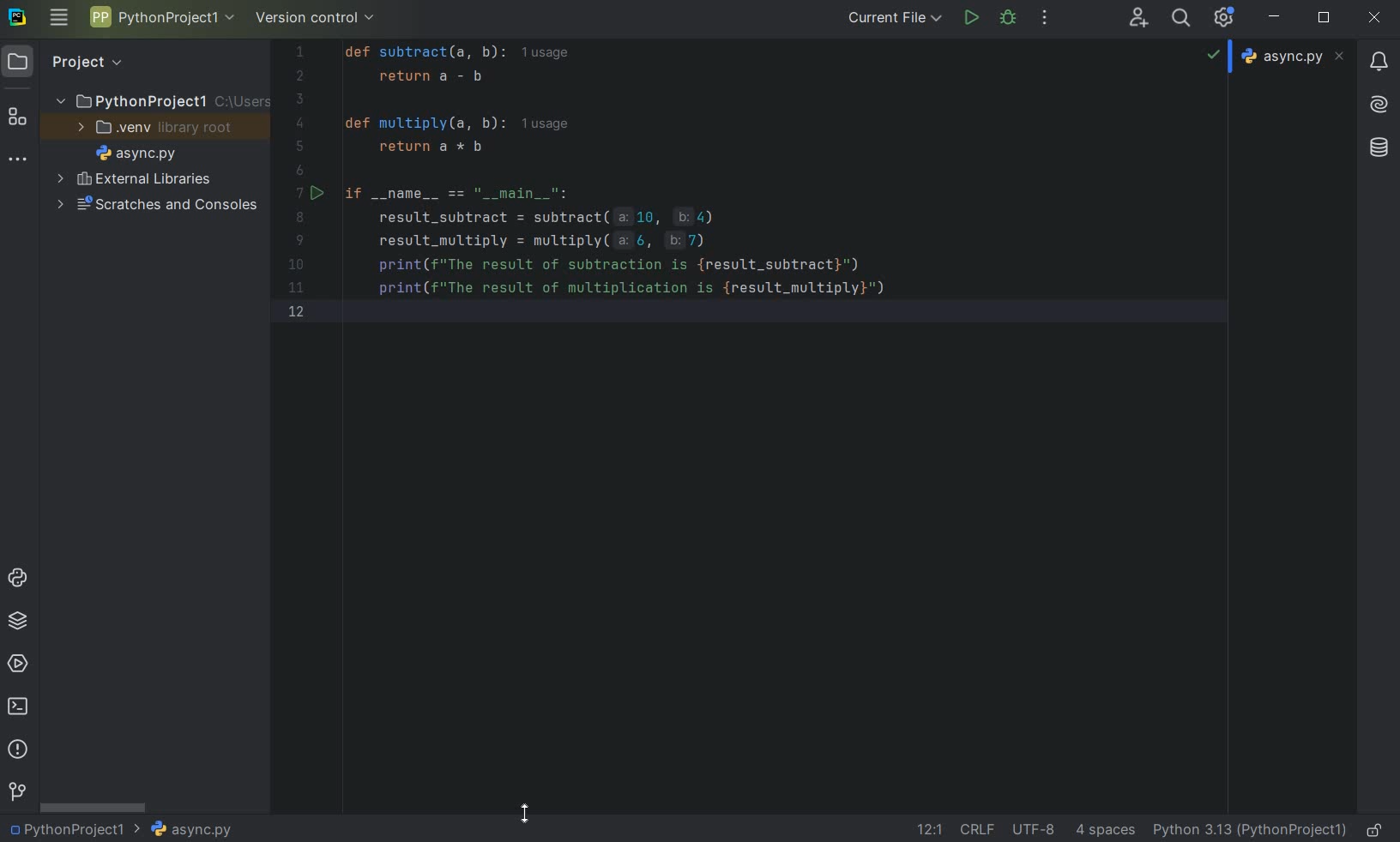  What do you see at coordinates (136, 153) in the screenshot?
I see `file name` at bounding box center [136, 153].